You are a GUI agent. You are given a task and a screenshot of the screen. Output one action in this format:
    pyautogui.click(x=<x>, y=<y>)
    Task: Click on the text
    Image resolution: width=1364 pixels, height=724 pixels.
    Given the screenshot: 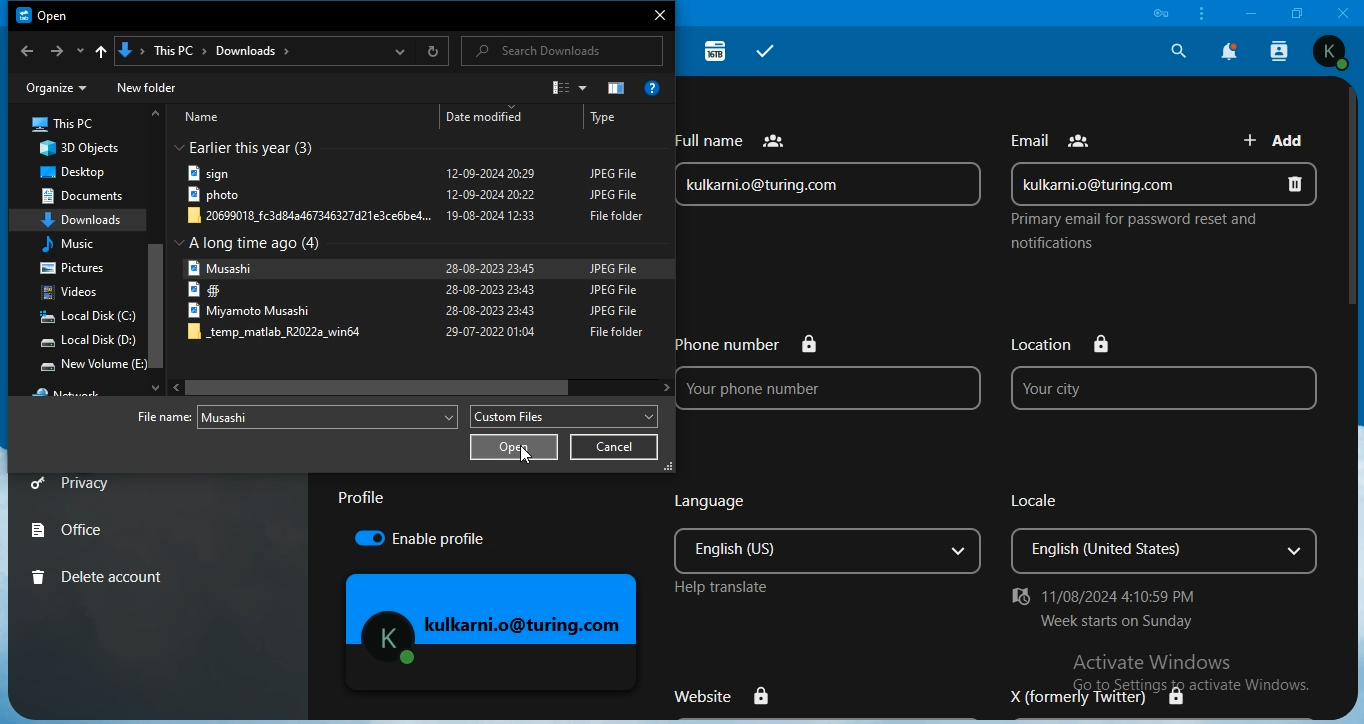 What is the action you would take?
    pyautogui.click(x=1055, y=135)
    